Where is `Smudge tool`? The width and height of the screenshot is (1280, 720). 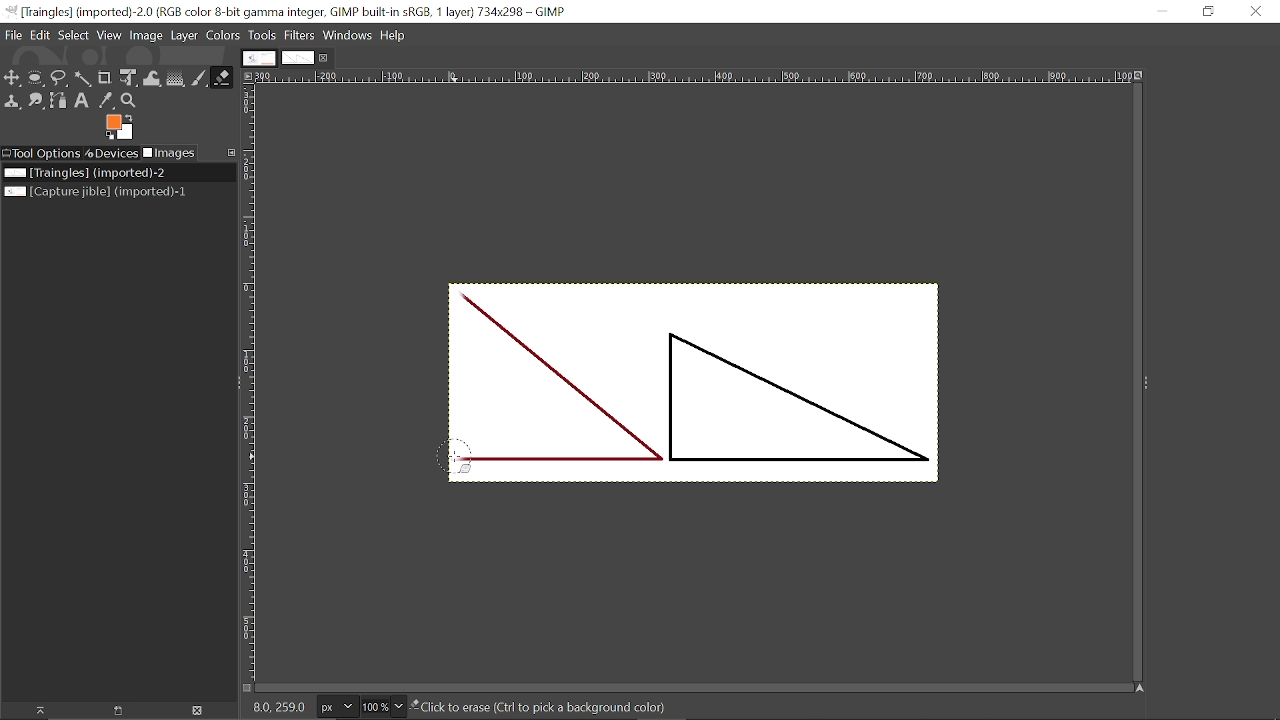 Smudge tool is located at coordinates (36, 101).